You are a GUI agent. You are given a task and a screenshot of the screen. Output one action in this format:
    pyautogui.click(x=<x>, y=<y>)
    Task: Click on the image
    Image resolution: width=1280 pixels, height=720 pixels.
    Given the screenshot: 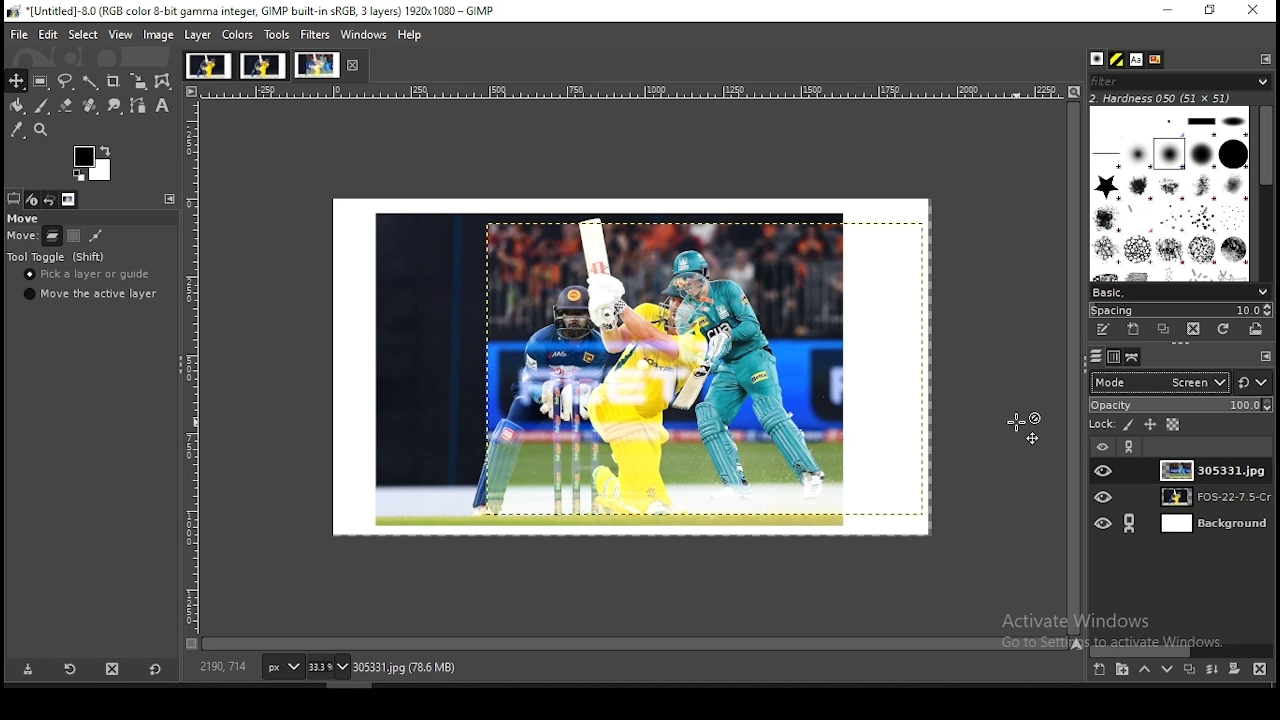 What is the action you would take?
    pyautogui.click(x=159, y=35)
    